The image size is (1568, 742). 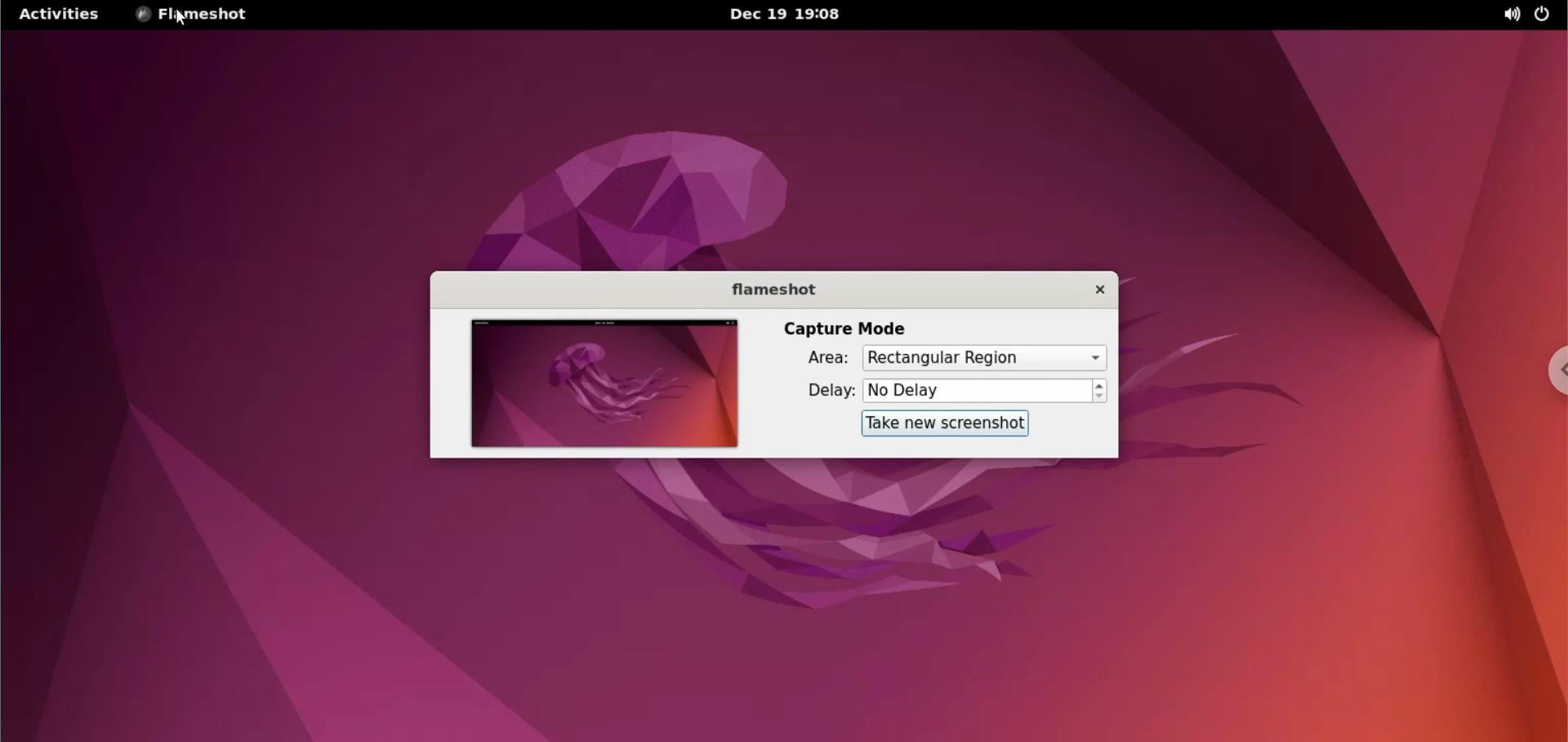 What do you see at coordinates (194, 13) in the screenshot?
I see `flameshot options` at bounding box center [194, 13].